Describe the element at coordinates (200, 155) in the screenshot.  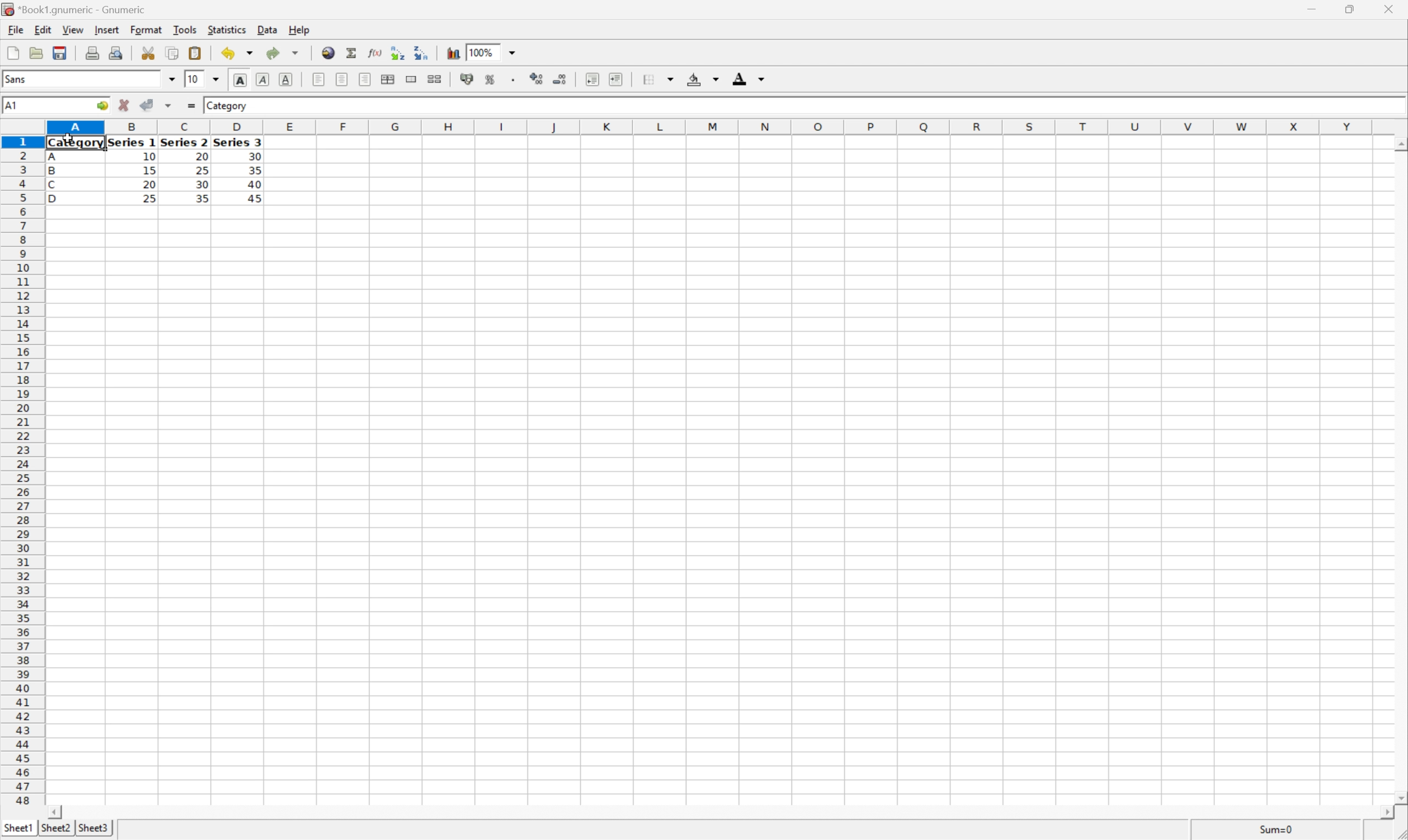
I see `20` at that location.